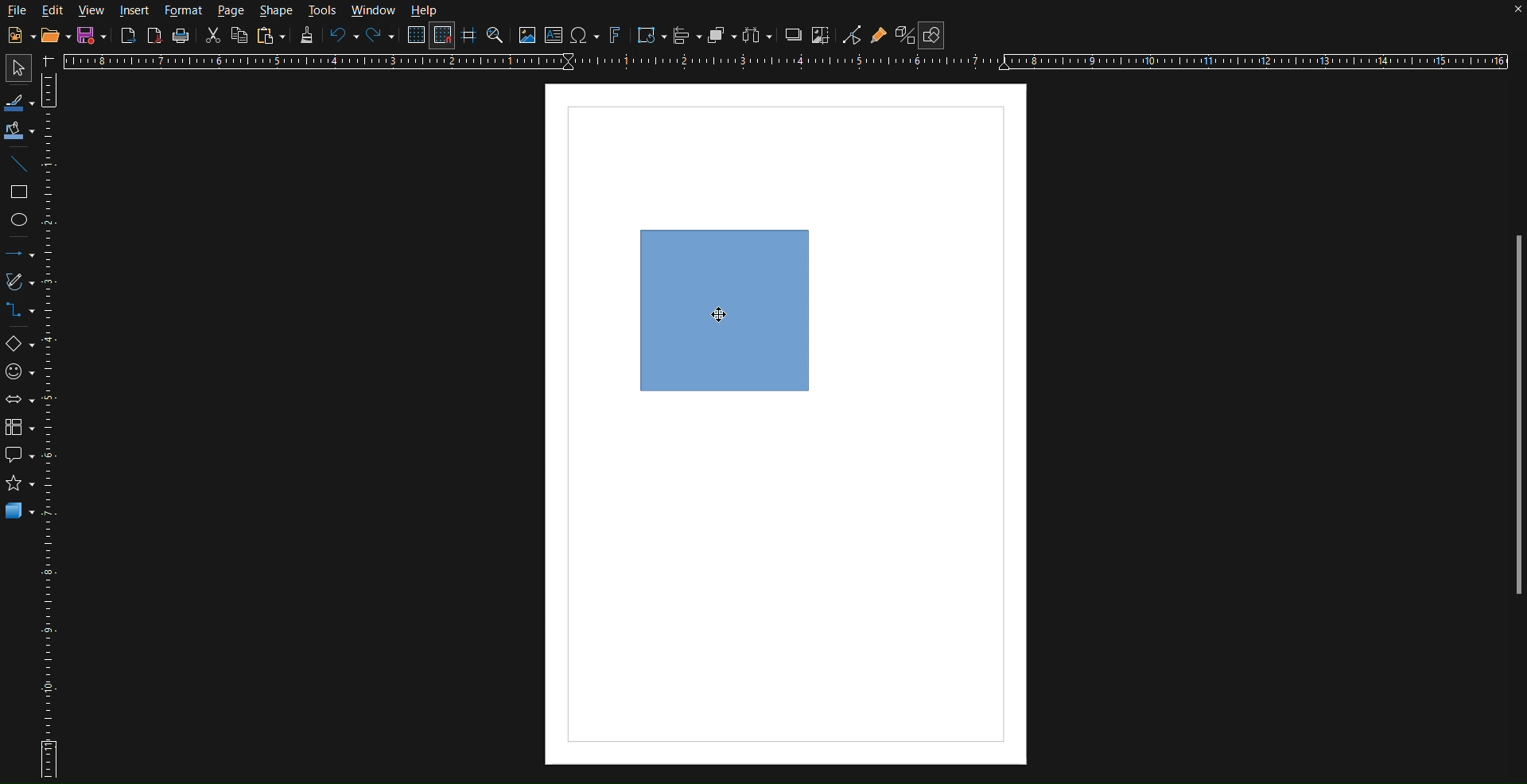  I want to click on Gluepoints Functions, so click(880, 34).